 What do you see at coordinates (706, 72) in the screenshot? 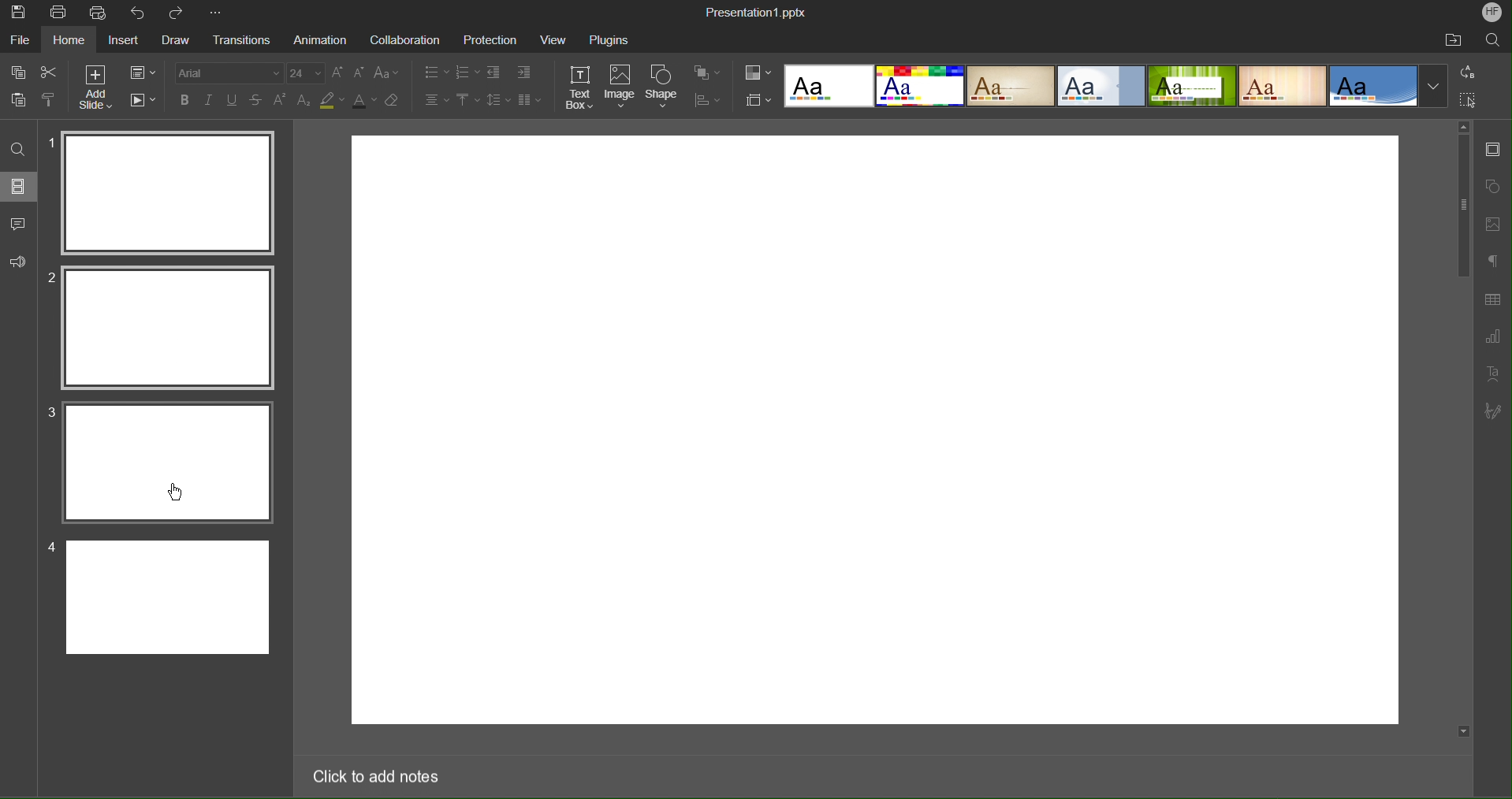
I see `Arrange` at bounding box center [706, 72].